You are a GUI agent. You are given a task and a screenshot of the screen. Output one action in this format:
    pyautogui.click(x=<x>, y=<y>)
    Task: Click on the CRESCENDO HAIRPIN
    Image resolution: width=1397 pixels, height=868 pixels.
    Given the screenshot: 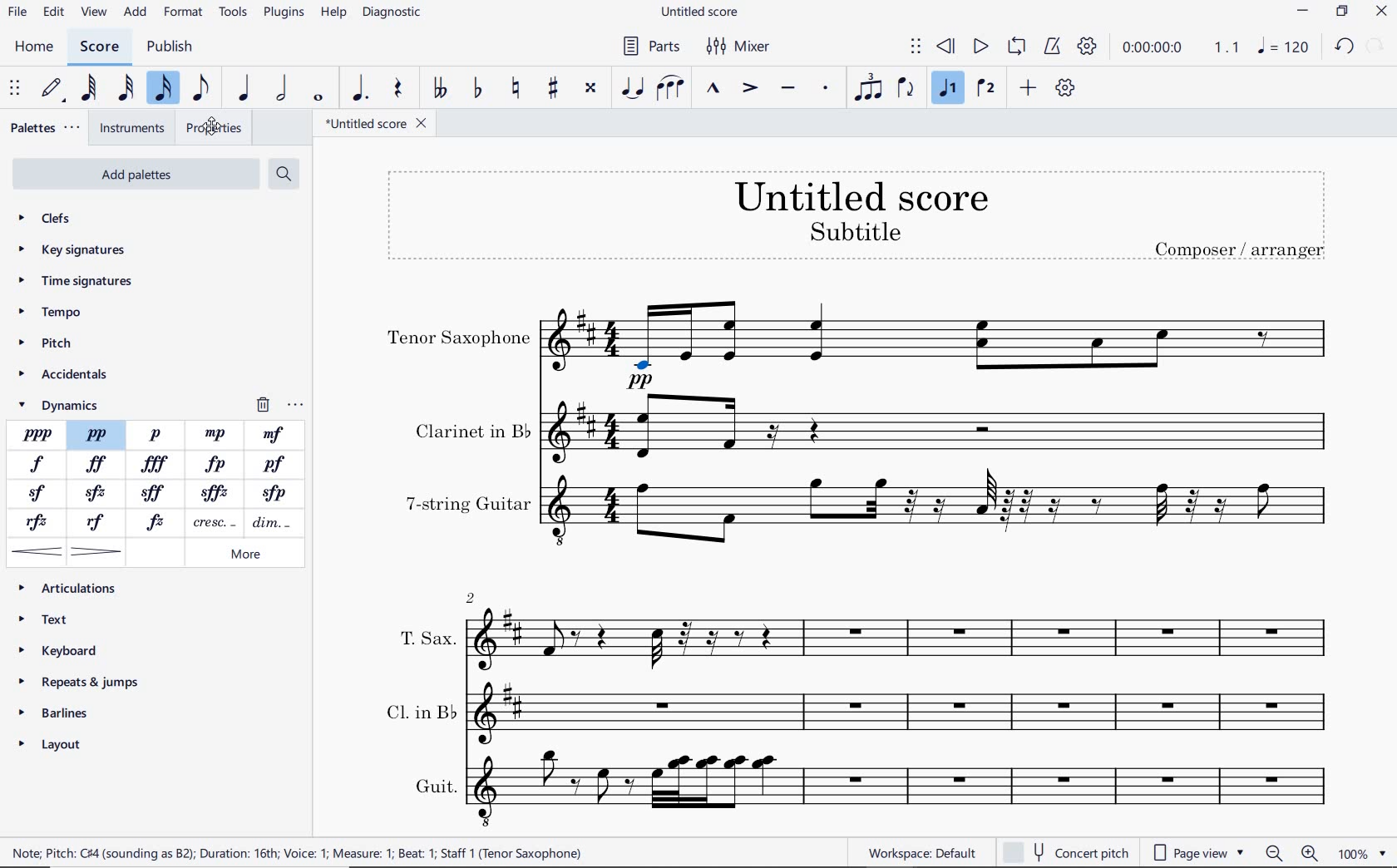 What is the action you would take?
    pyautogui.click(x=37, y=551)
    